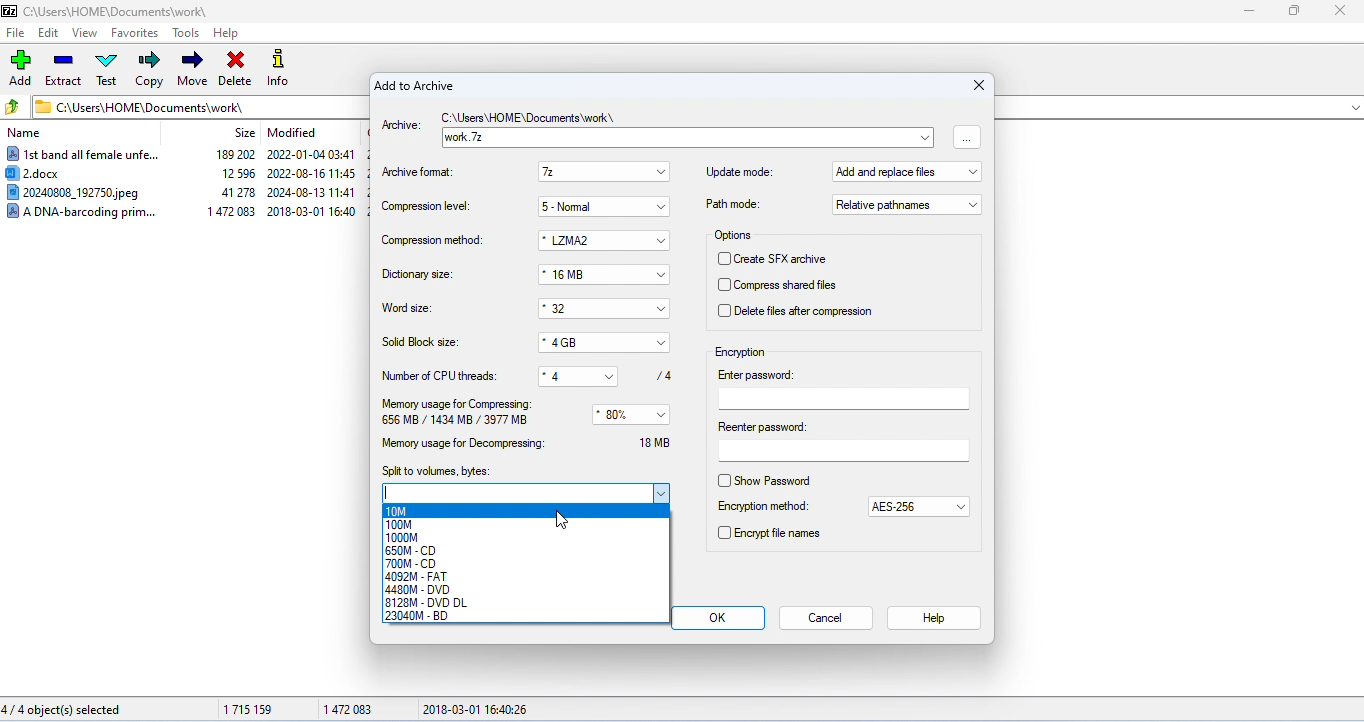  Describe the element at coordinates (620, 415) in the screenshot. I see `80%` at that location.